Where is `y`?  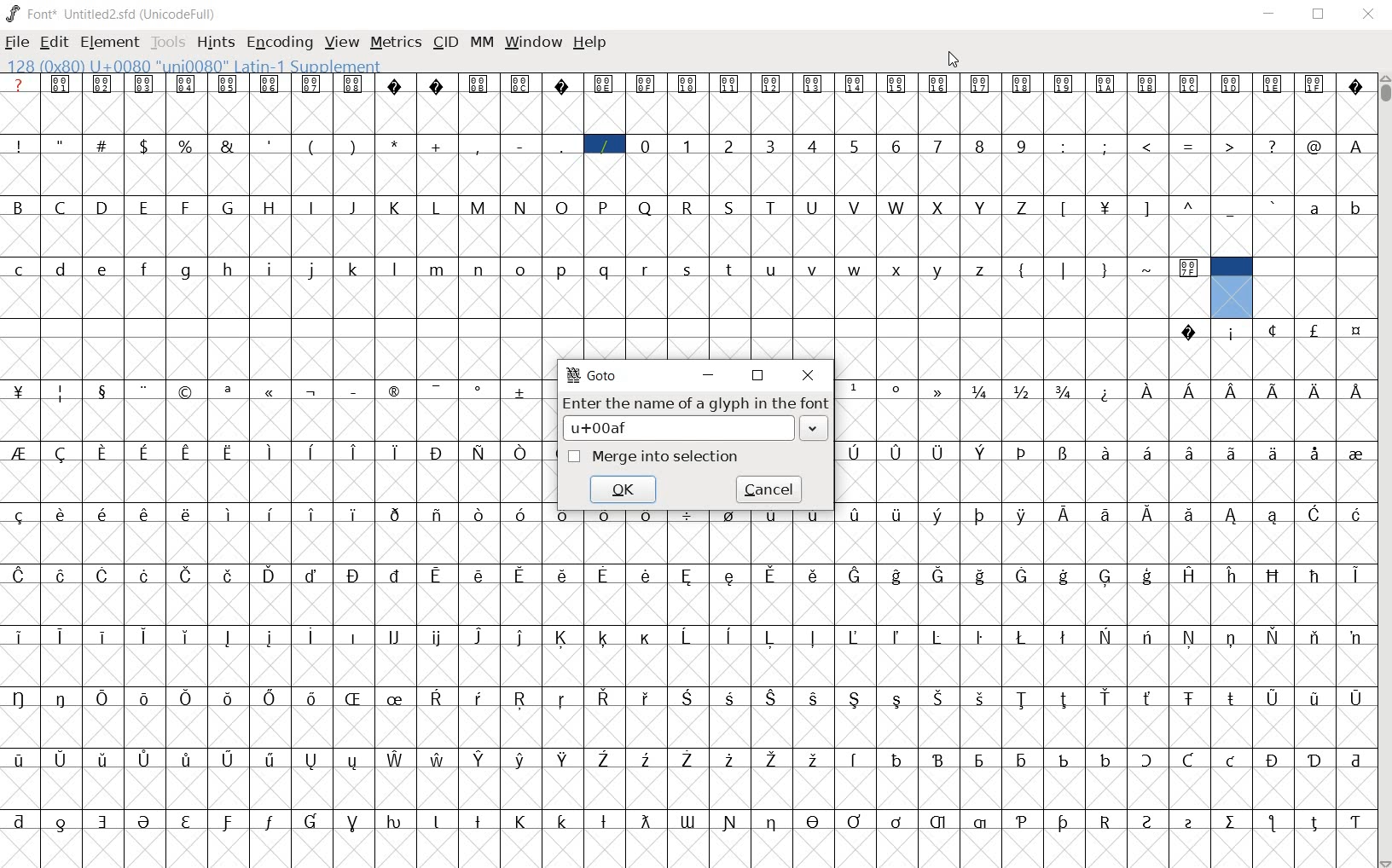
y is located at coordinates (940, 269).